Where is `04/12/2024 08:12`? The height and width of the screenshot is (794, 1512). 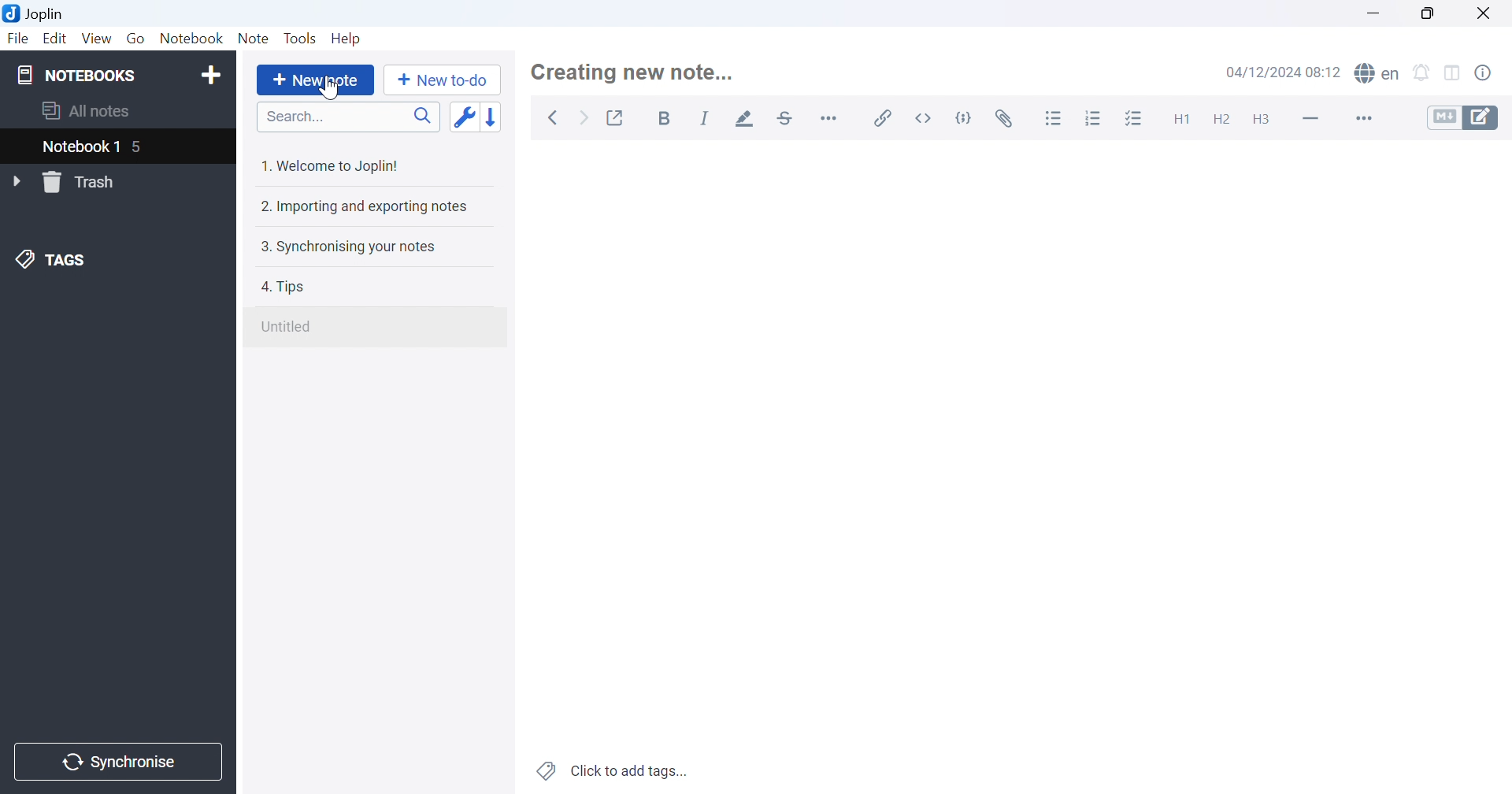
04/12/2024 08:12 is located at coordinates (1284, 72).